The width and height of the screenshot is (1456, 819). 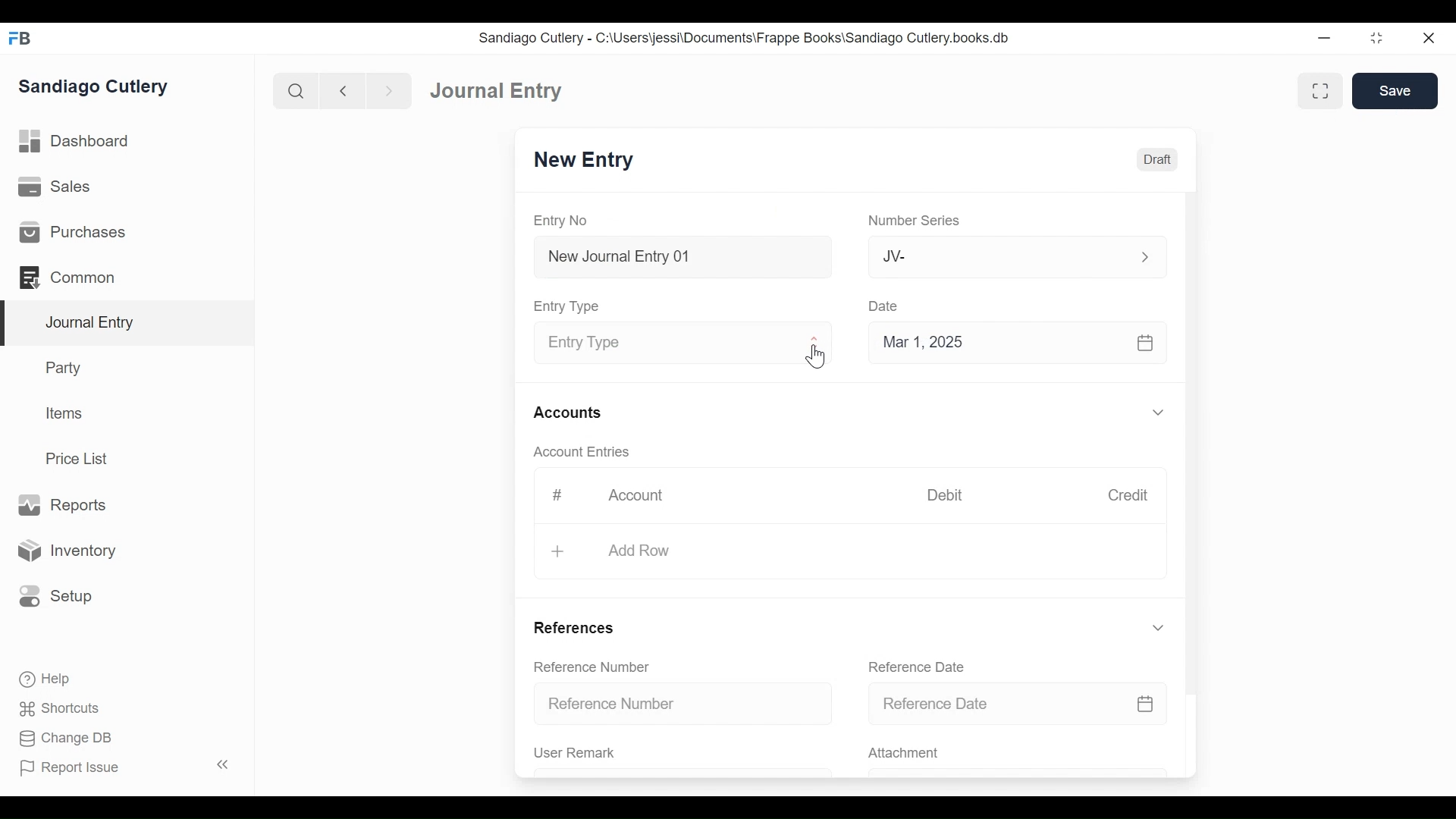 What do you see at coordinates (680, 704) in the screenshot?
I see `Reference Number` at bounding box center [680, 704].